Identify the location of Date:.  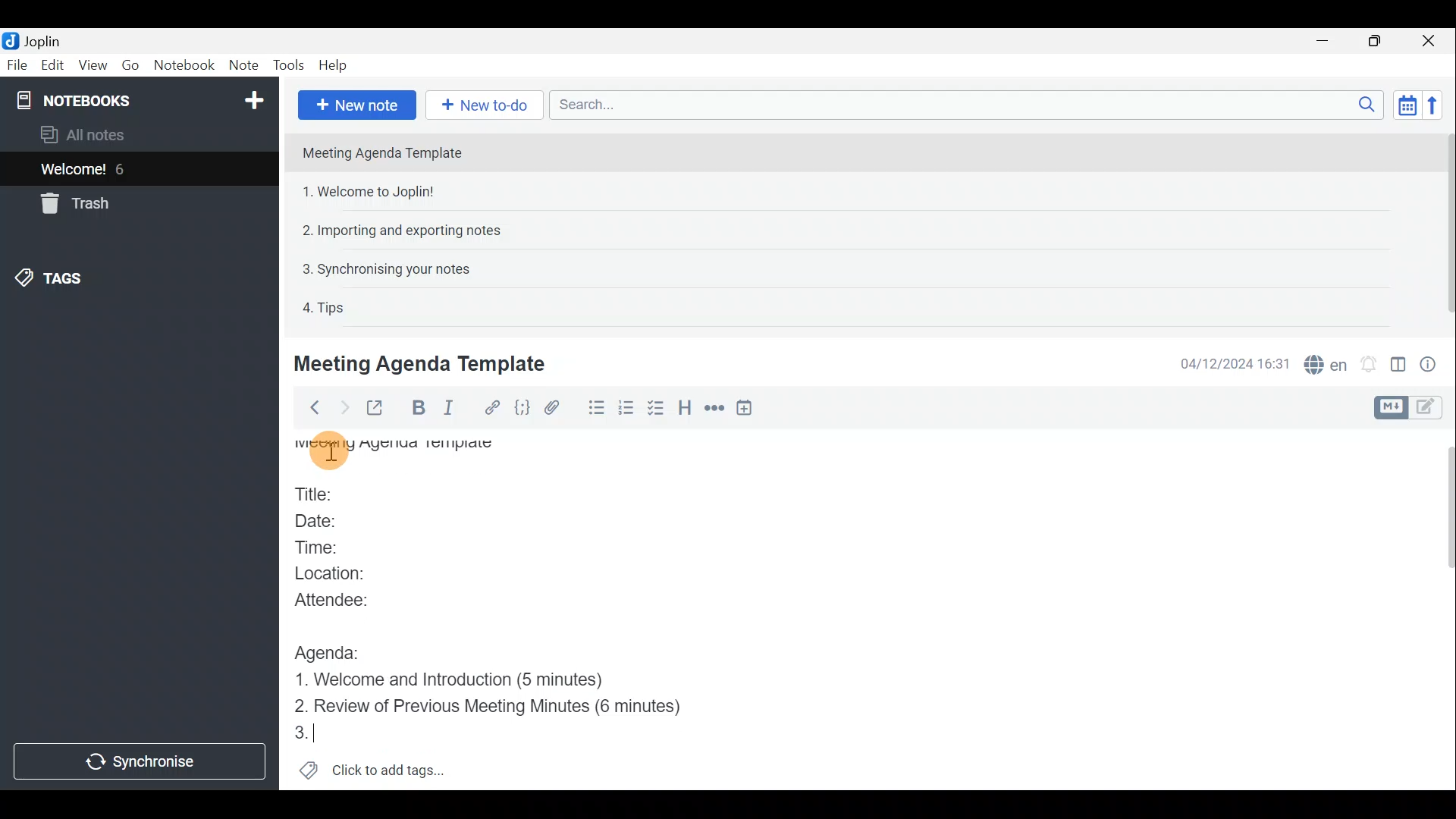
(328, 523).